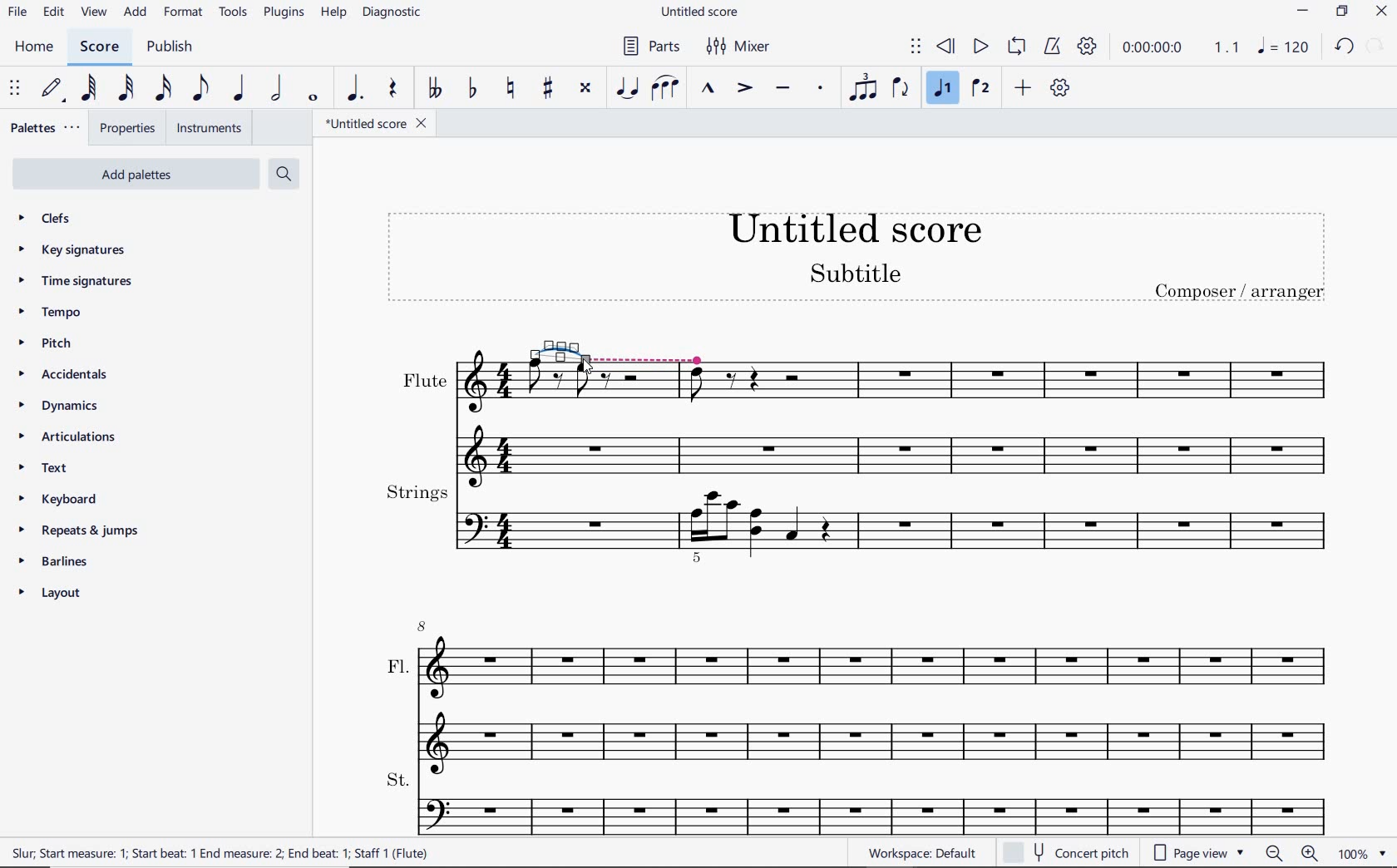 The image size is (1397, 868). Describe the element at coordinates (314, 100) in the screenshot. I see `WHOLE NOTE` at that location.